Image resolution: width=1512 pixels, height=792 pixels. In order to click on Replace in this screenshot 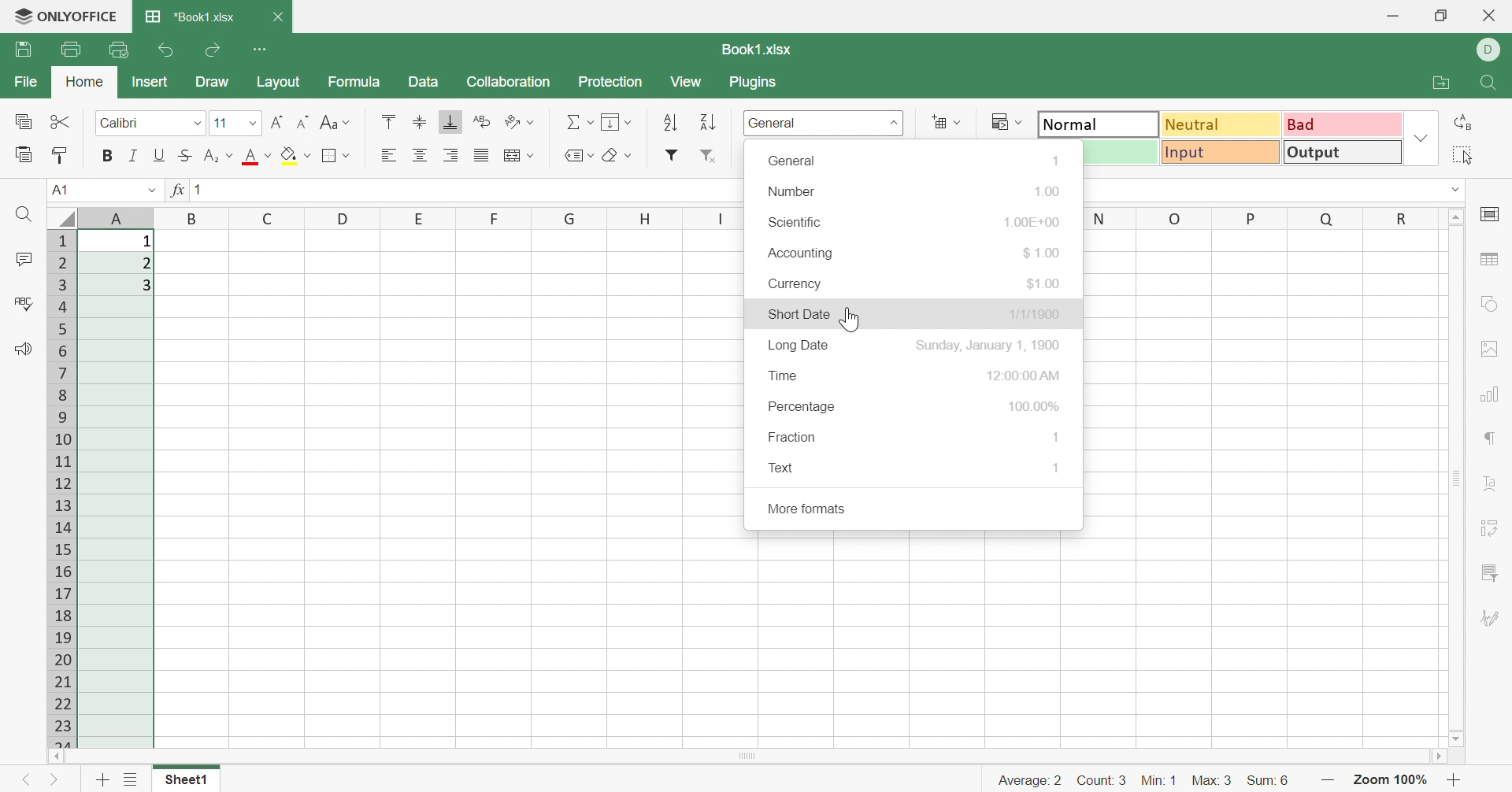, I will do `click(1461, 123)`.